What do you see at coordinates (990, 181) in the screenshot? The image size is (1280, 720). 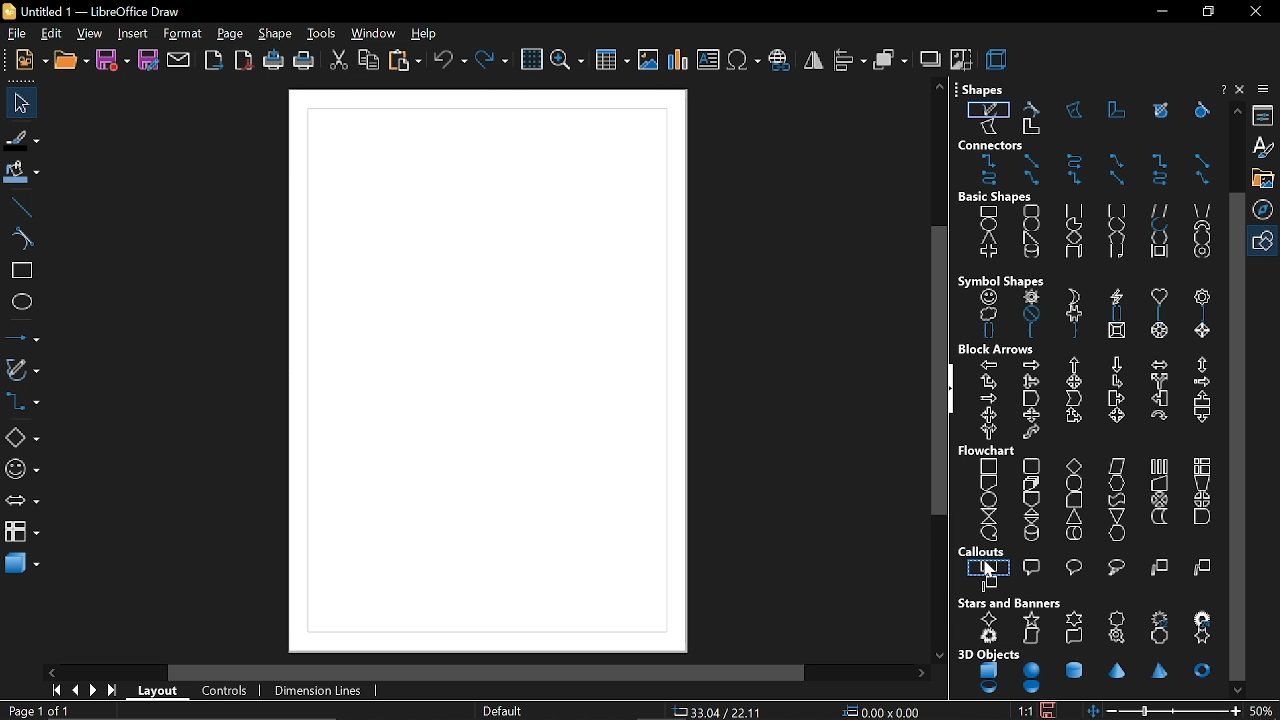 I see `curved connector` at bounding box center [990, 181].